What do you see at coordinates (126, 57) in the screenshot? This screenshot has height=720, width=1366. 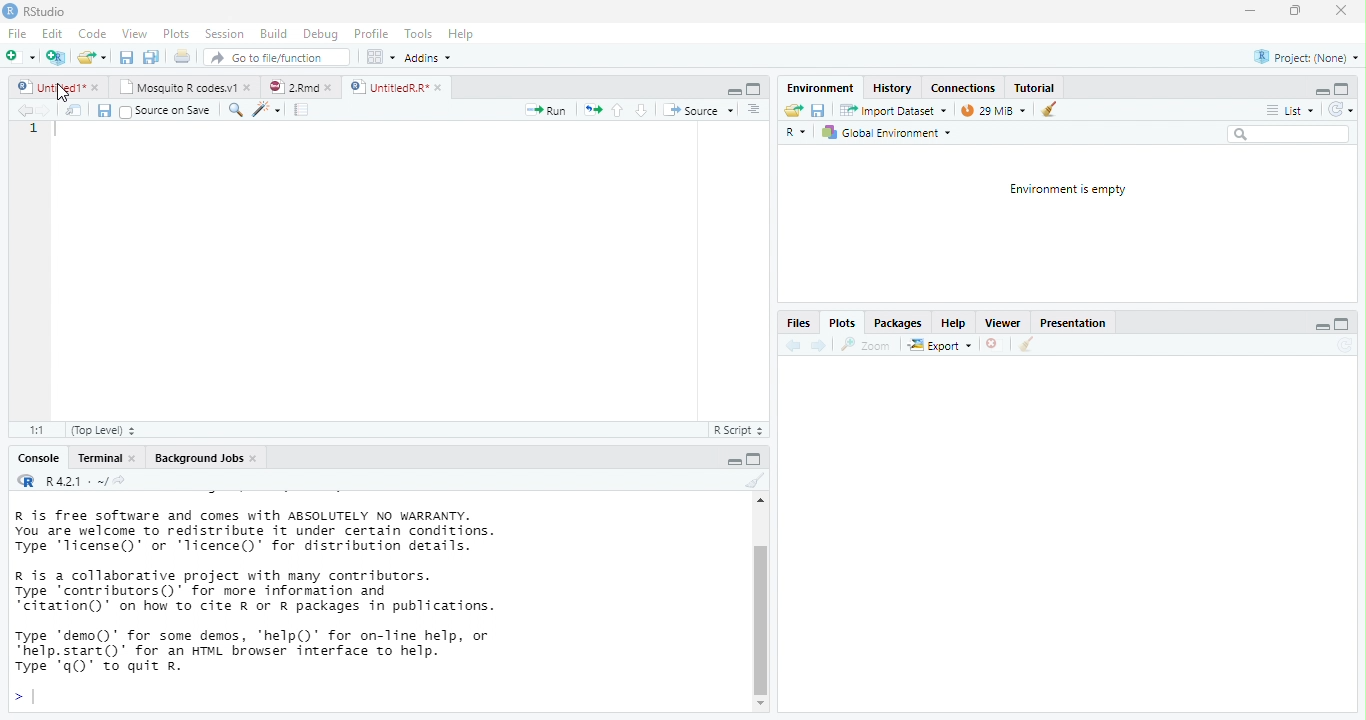 I see `save all open document` at bounding box center [126, 57].